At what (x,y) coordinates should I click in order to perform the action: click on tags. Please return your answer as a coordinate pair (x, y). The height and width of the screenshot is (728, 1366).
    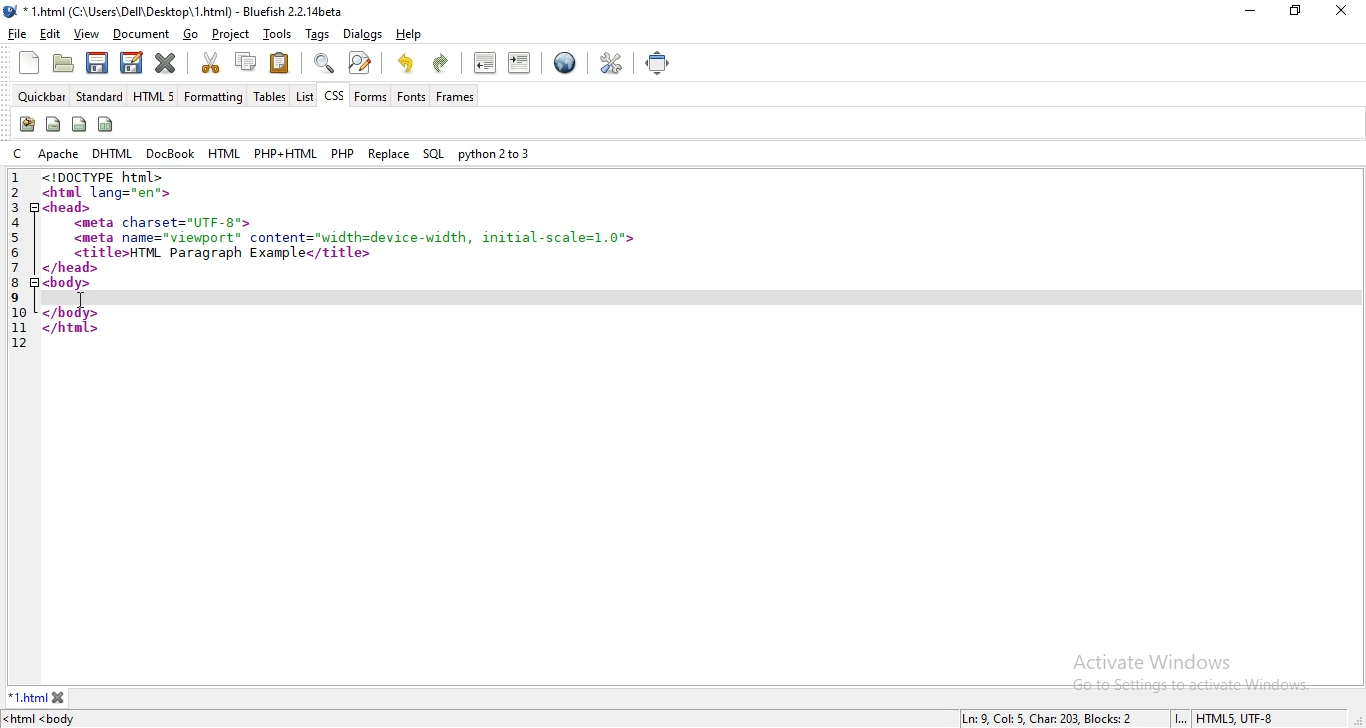
    Looking at the image, I should click on (316, 33).